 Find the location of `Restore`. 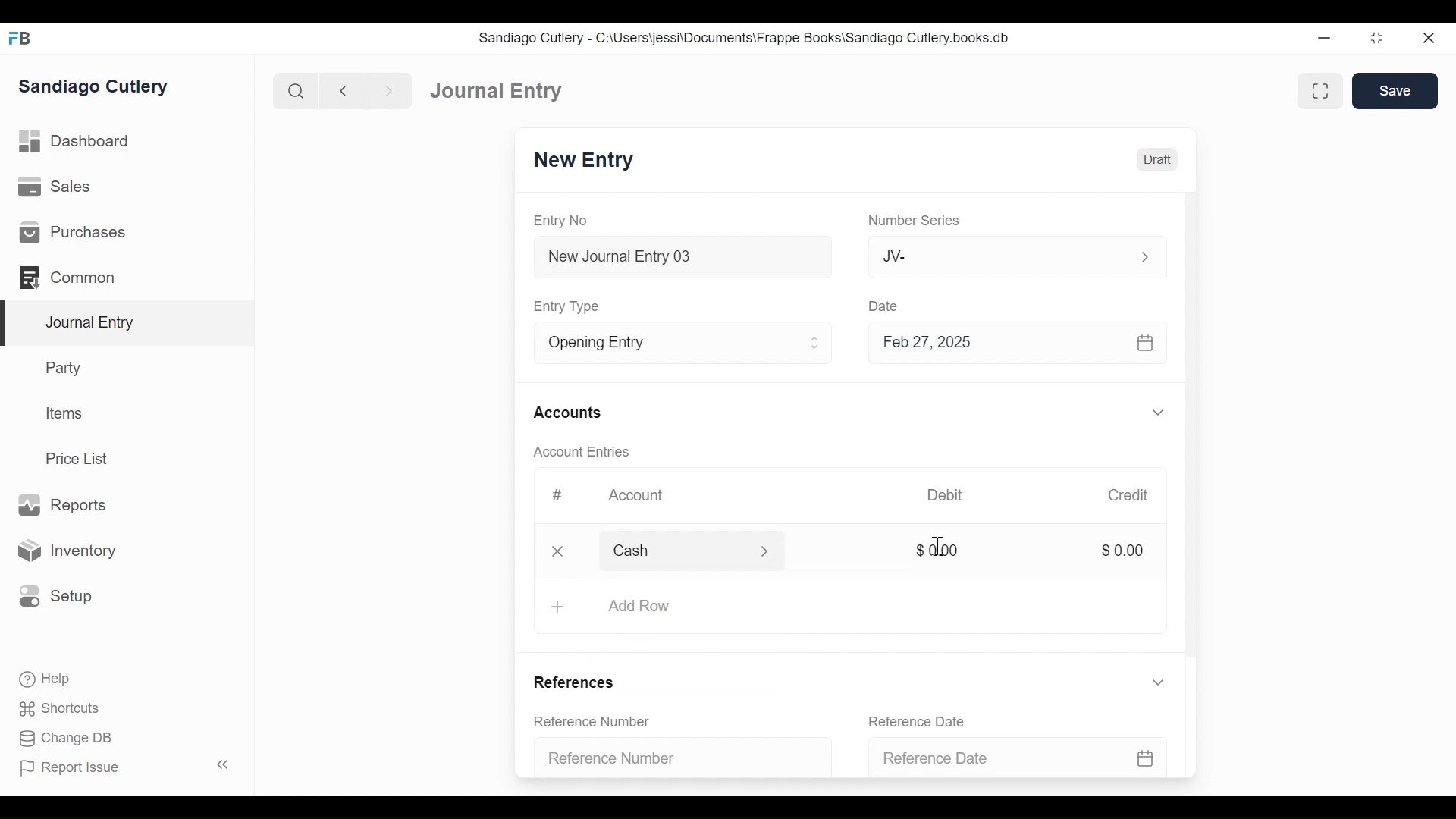

Restore is located at coordinates (1376, 37).